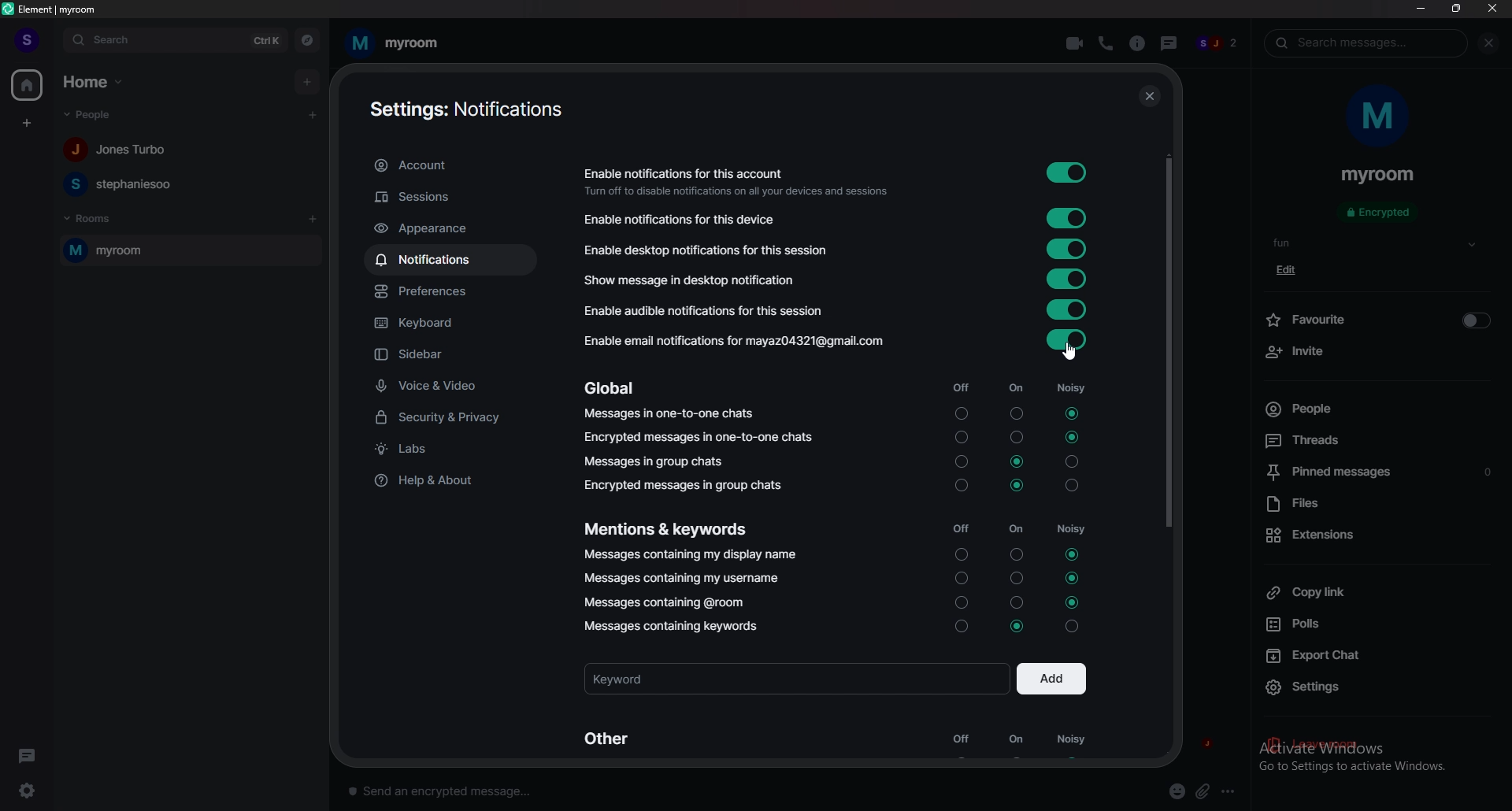 The height and width of the screenshot is (811, 1512). What do you see at coordinates (1071, 505) in the screenshot?
I see `noisy` at bounding box center [1071, 505].